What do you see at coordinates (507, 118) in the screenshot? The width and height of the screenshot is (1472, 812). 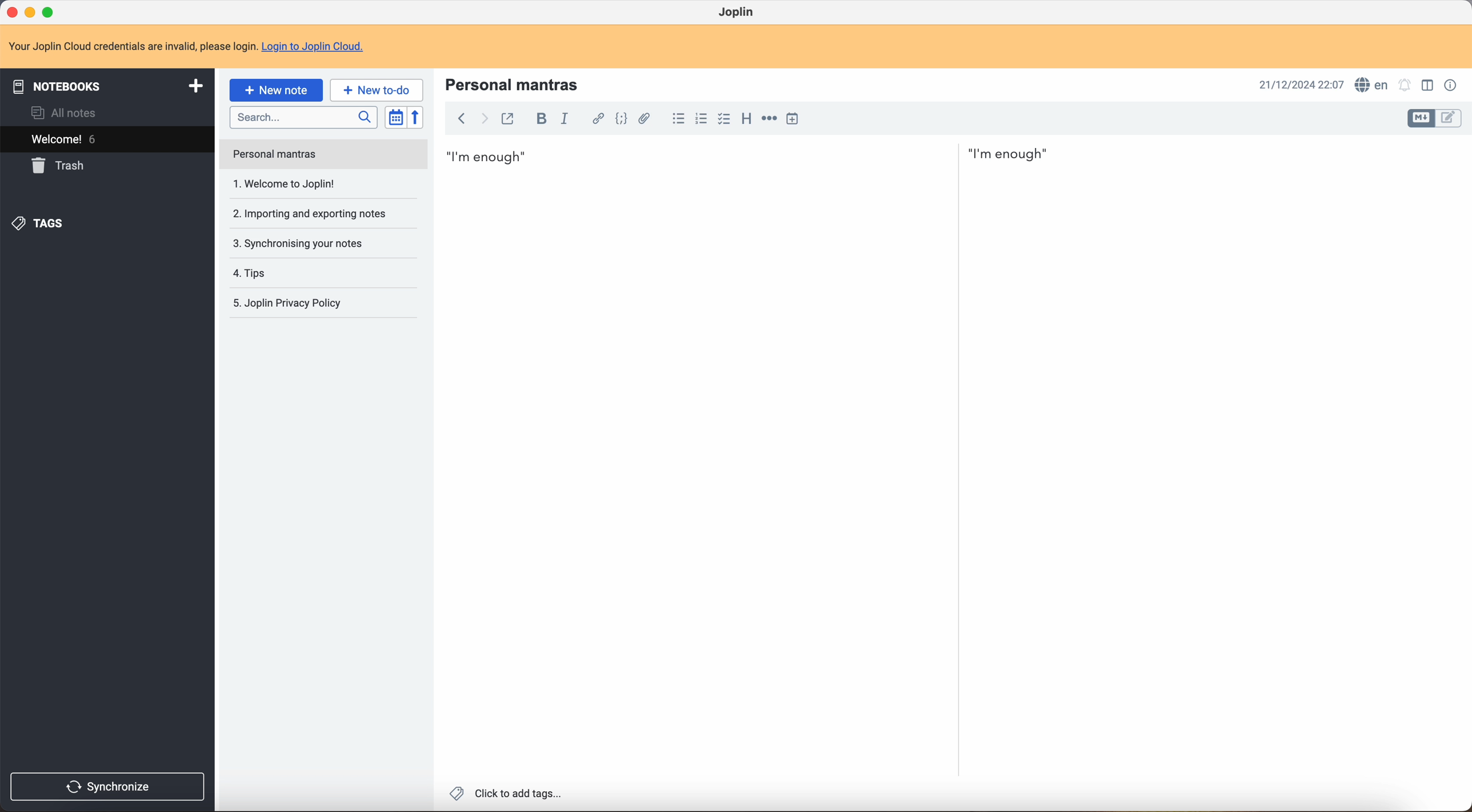 I see `toggle external editing` at bounding box center [507, 118].